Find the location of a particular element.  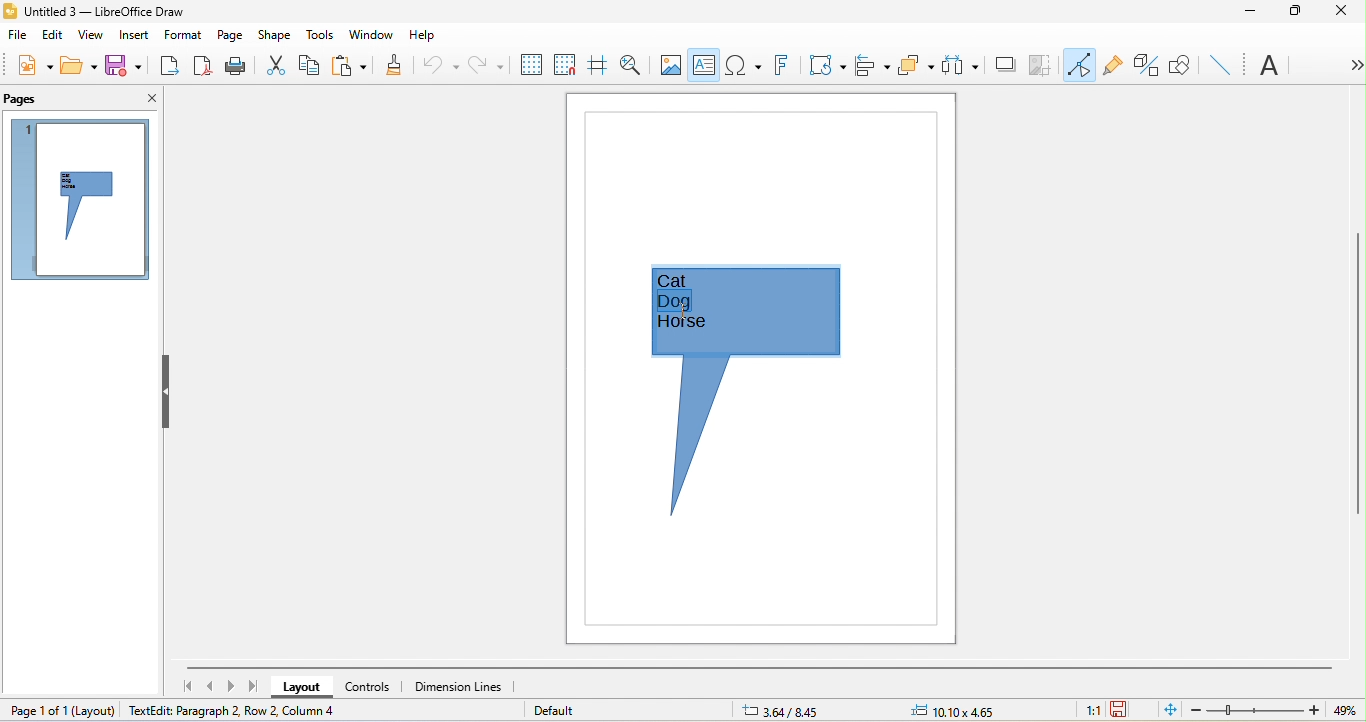

3.64/8.45 is located at coordinates (789, 710).